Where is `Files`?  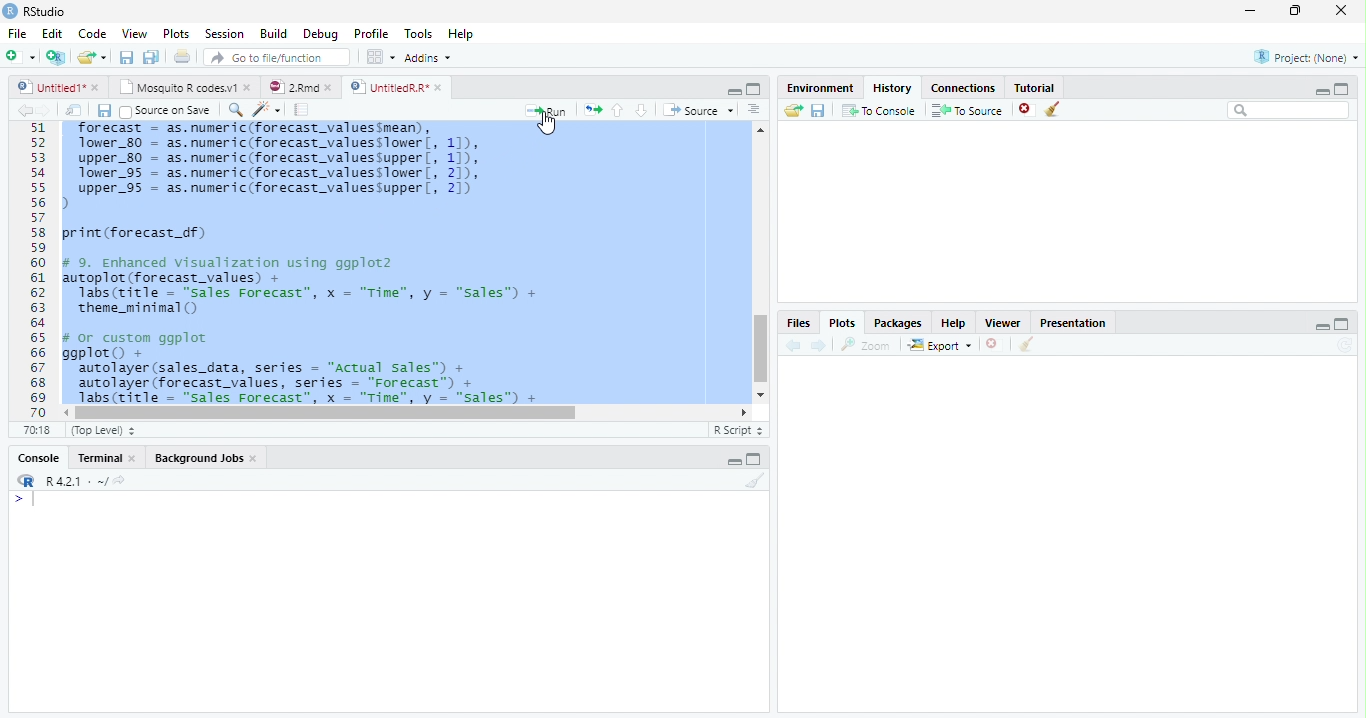
Files is located at coordinates (801, 323).